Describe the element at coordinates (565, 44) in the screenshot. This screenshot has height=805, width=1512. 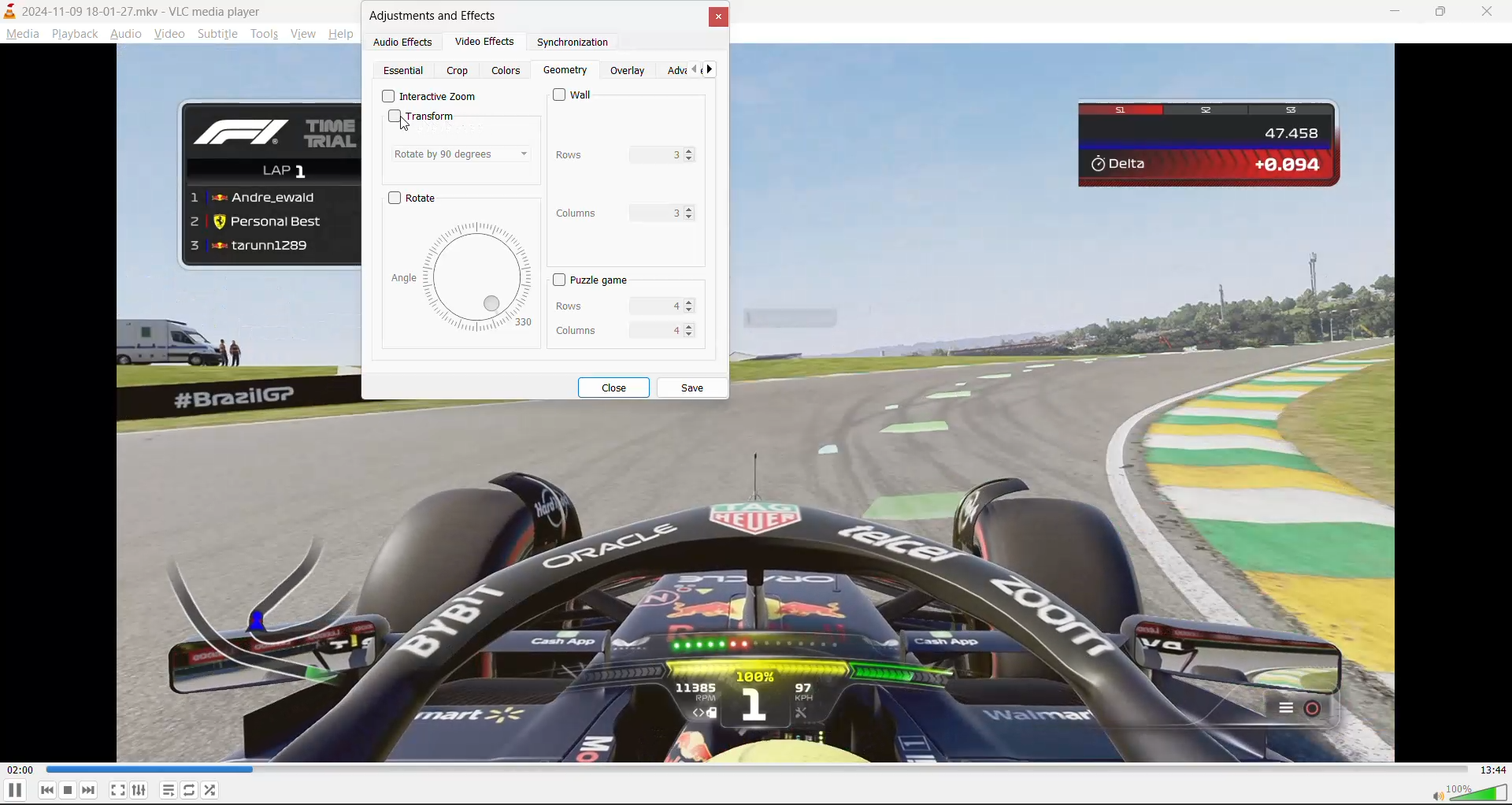
I see `synchronization` at that location.